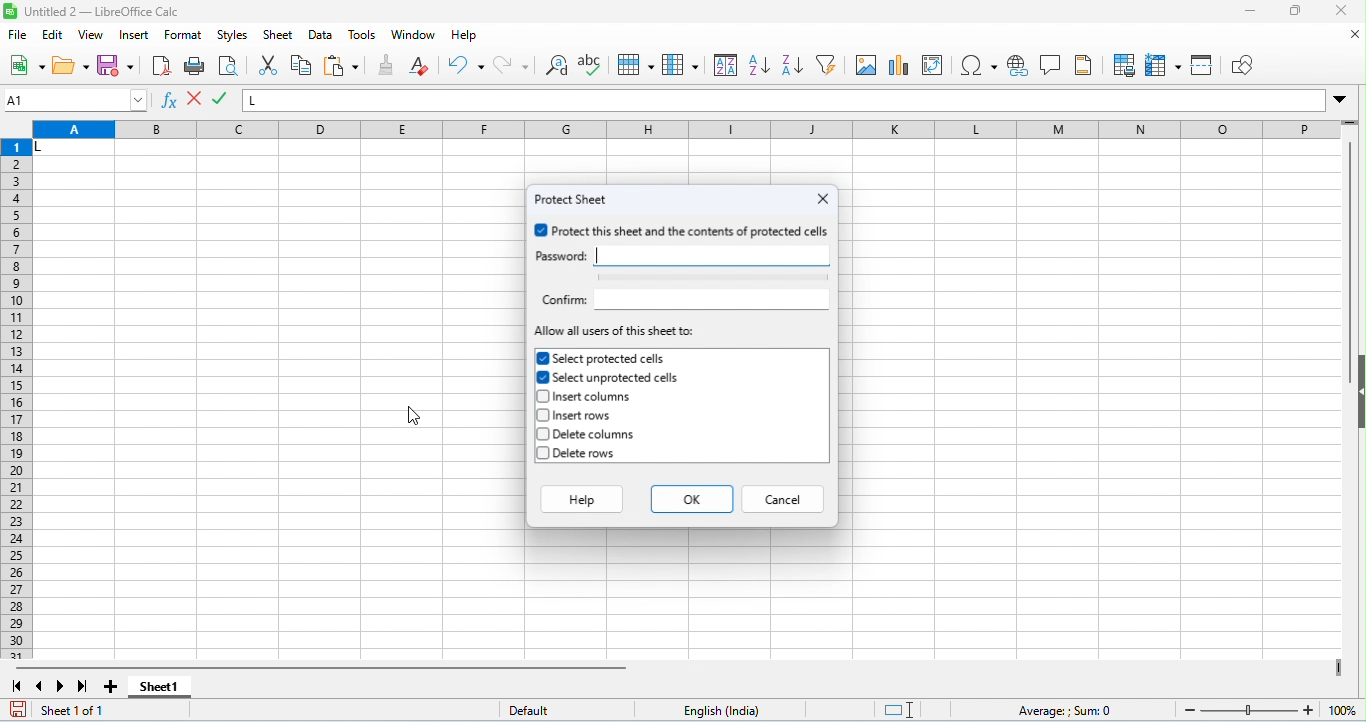  What do you see at coordinates (635, 65) in the screenshot?
I see `row` at bounding box center [635, 65].